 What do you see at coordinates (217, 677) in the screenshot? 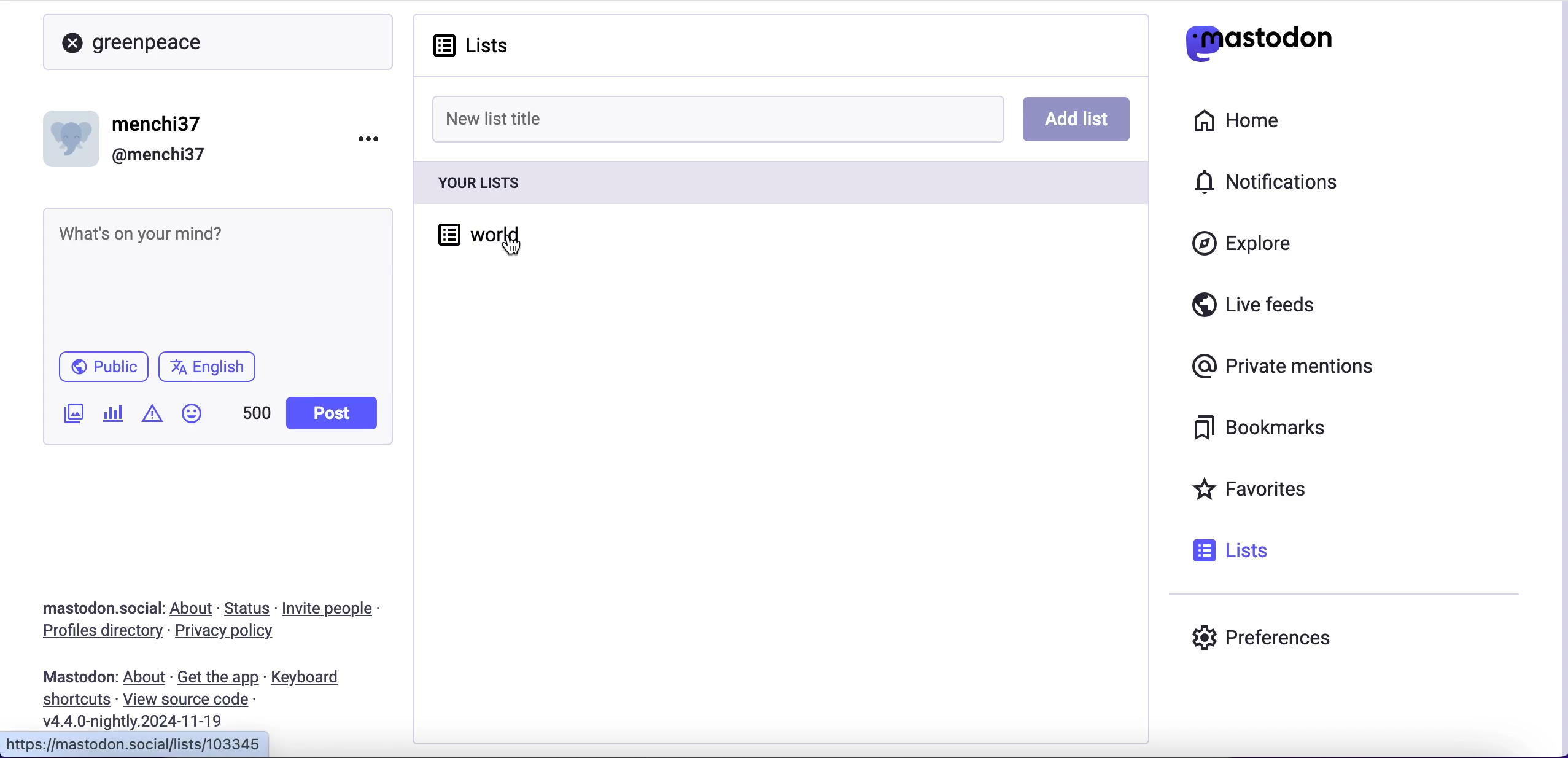
I see `get the app` at bounding box center [217, 677].